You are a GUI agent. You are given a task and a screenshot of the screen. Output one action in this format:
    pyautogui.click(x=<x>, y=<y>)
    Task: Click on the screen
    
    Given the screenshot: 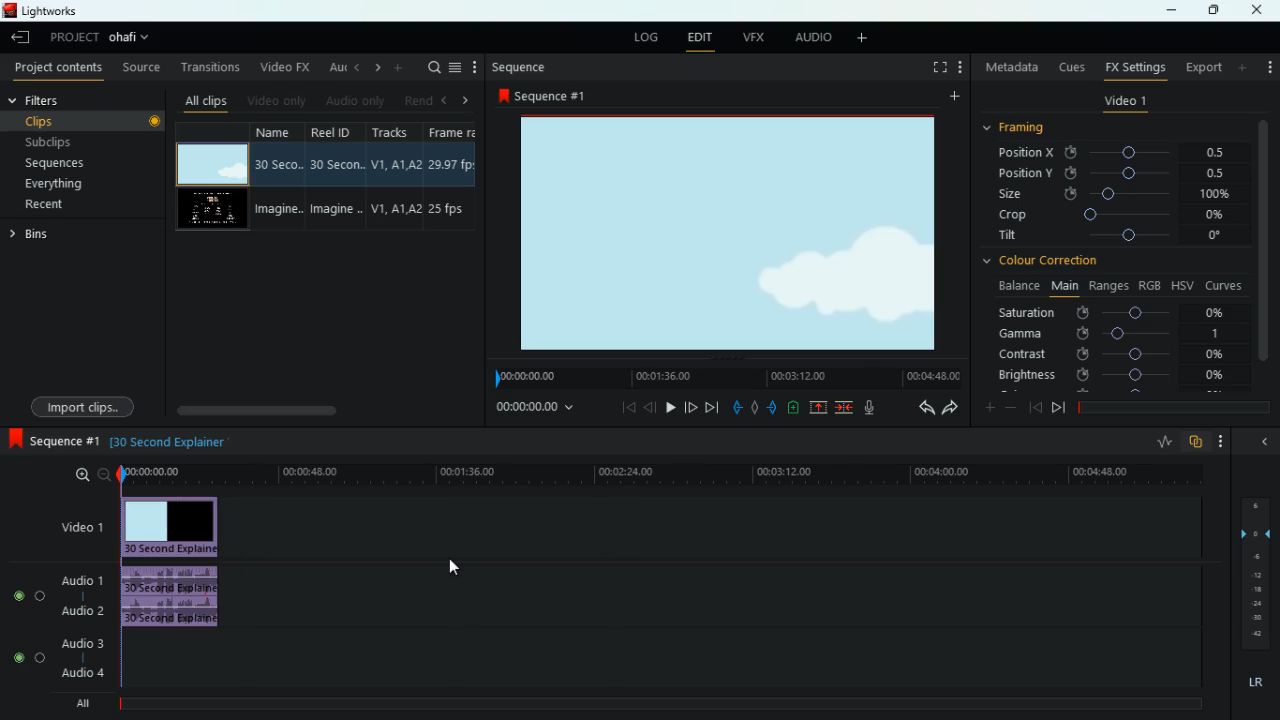 What is the action you would take?
    pyautogui.click(x=211, y=164)
    